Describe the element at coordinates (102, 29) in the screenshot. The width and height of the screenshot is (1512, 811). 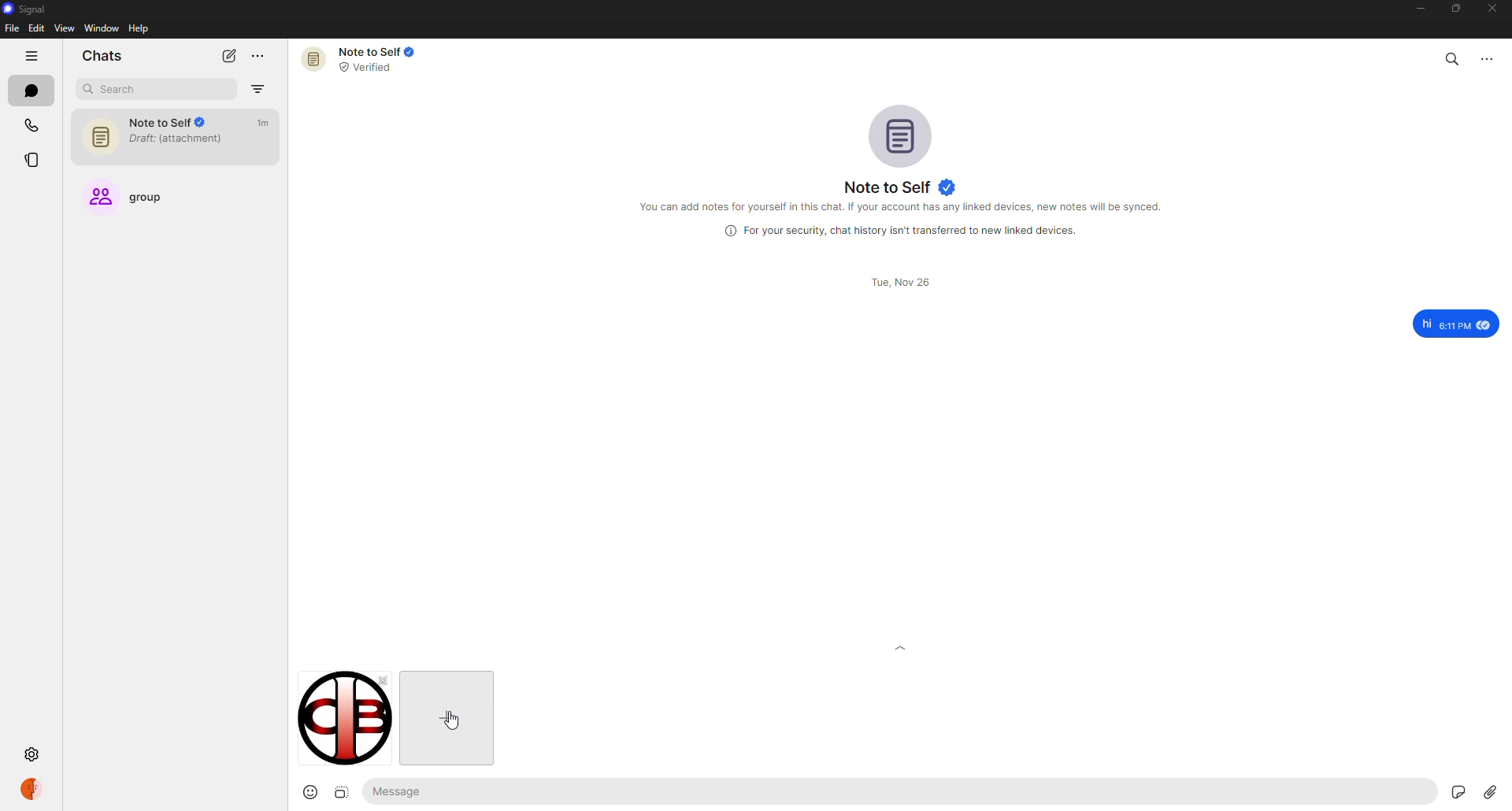
I see `window` at that location.